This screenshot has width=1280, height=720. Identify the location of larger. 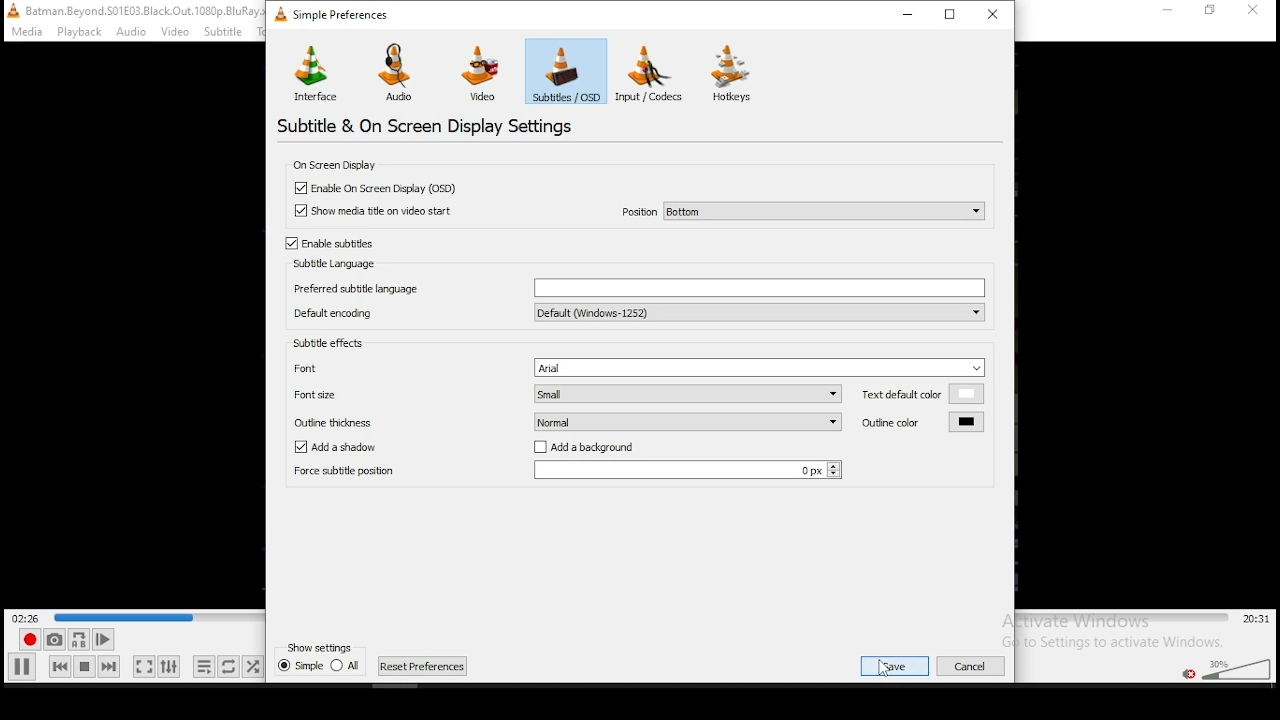
(686, 471).